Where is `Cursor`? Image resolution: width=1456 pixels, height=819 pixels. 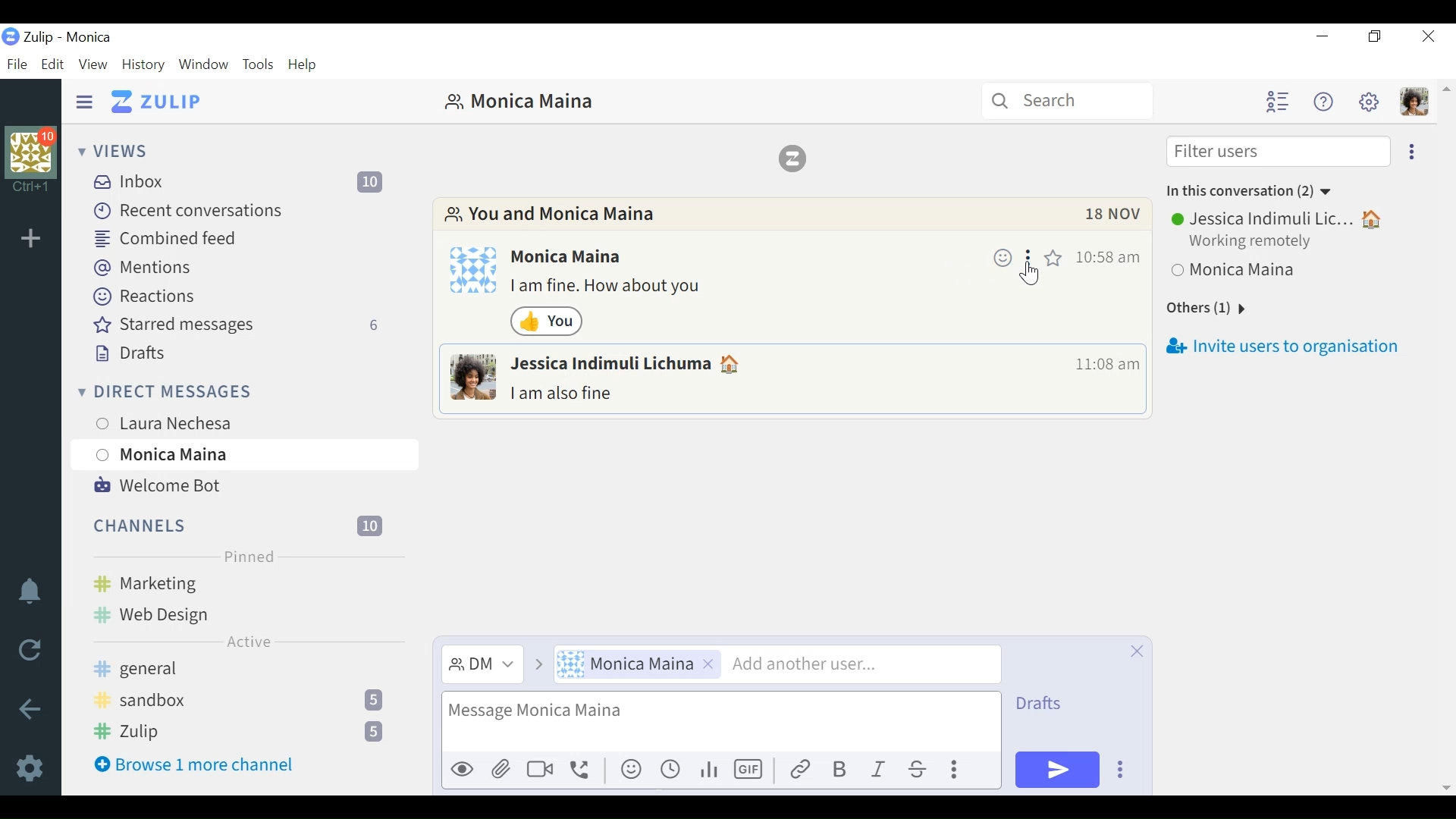 Cursor is located at coordinates (245, 470).